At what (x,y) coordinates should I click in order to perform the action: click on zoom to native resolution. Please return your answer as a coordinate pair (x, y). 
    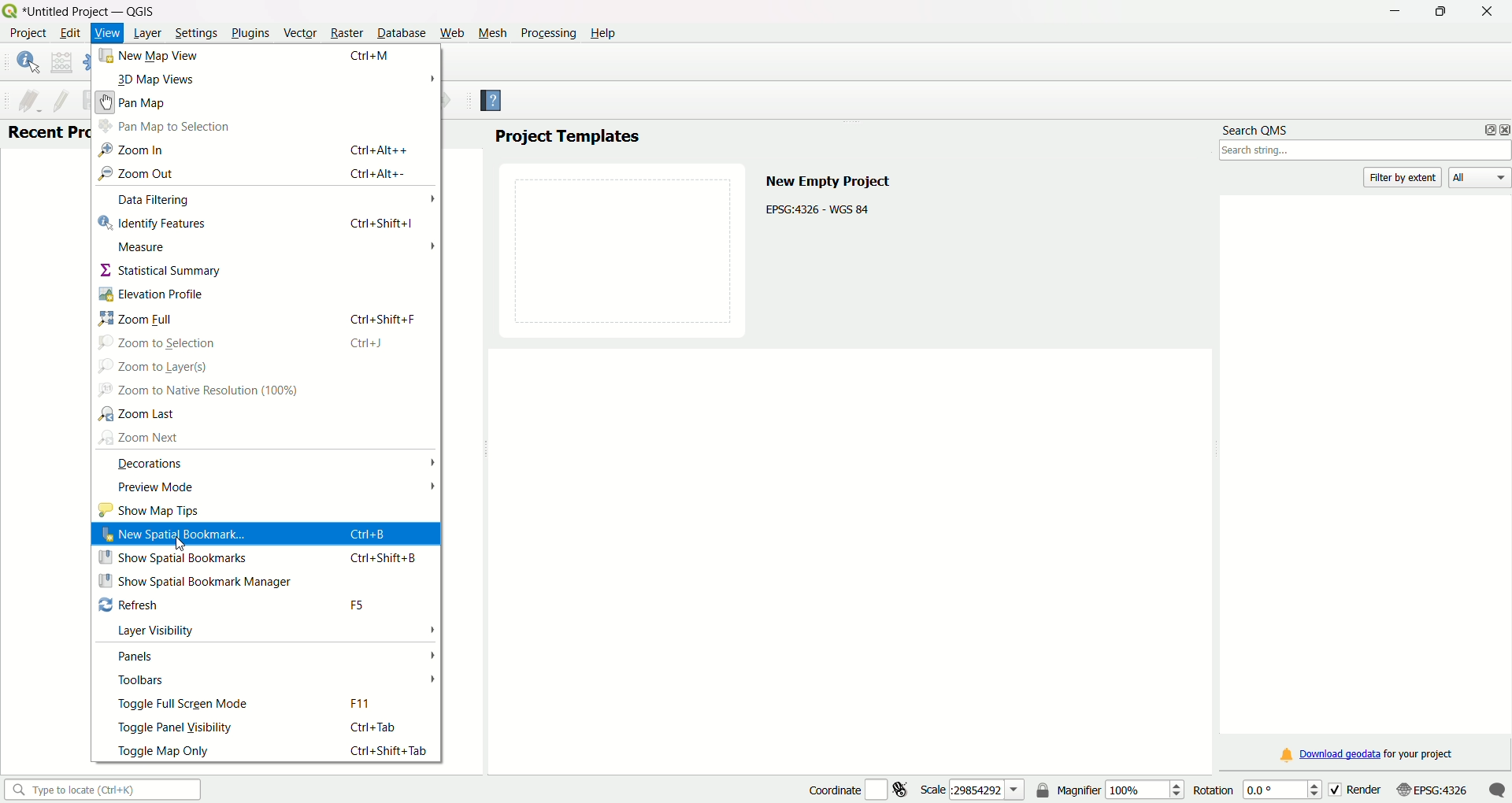
    Looking at the image, I should click on (198, 390).